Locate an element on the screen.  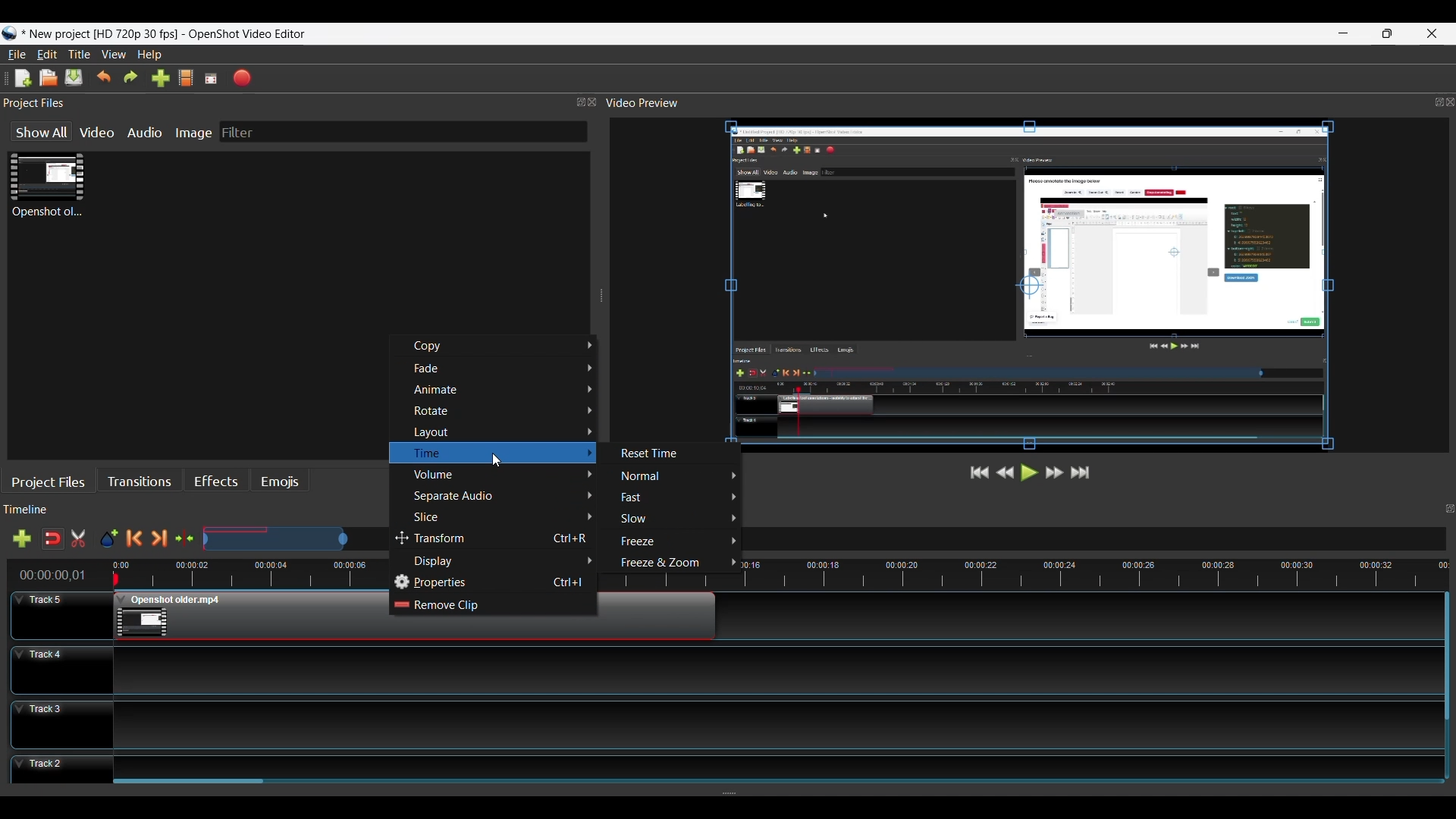
Close is located at coordinates (1432, 33).